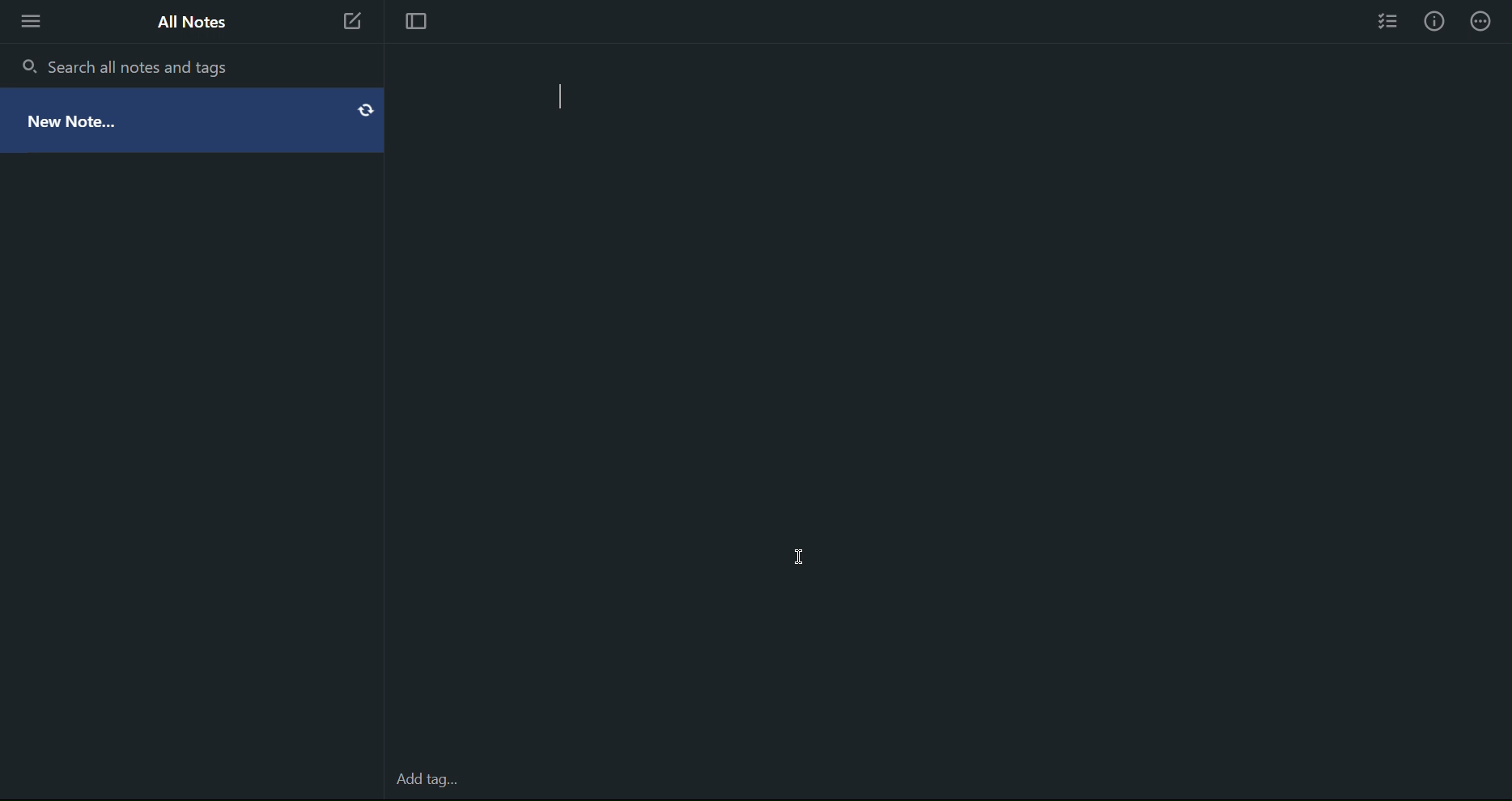  I want to click on Checklist, so click(1383, 24).